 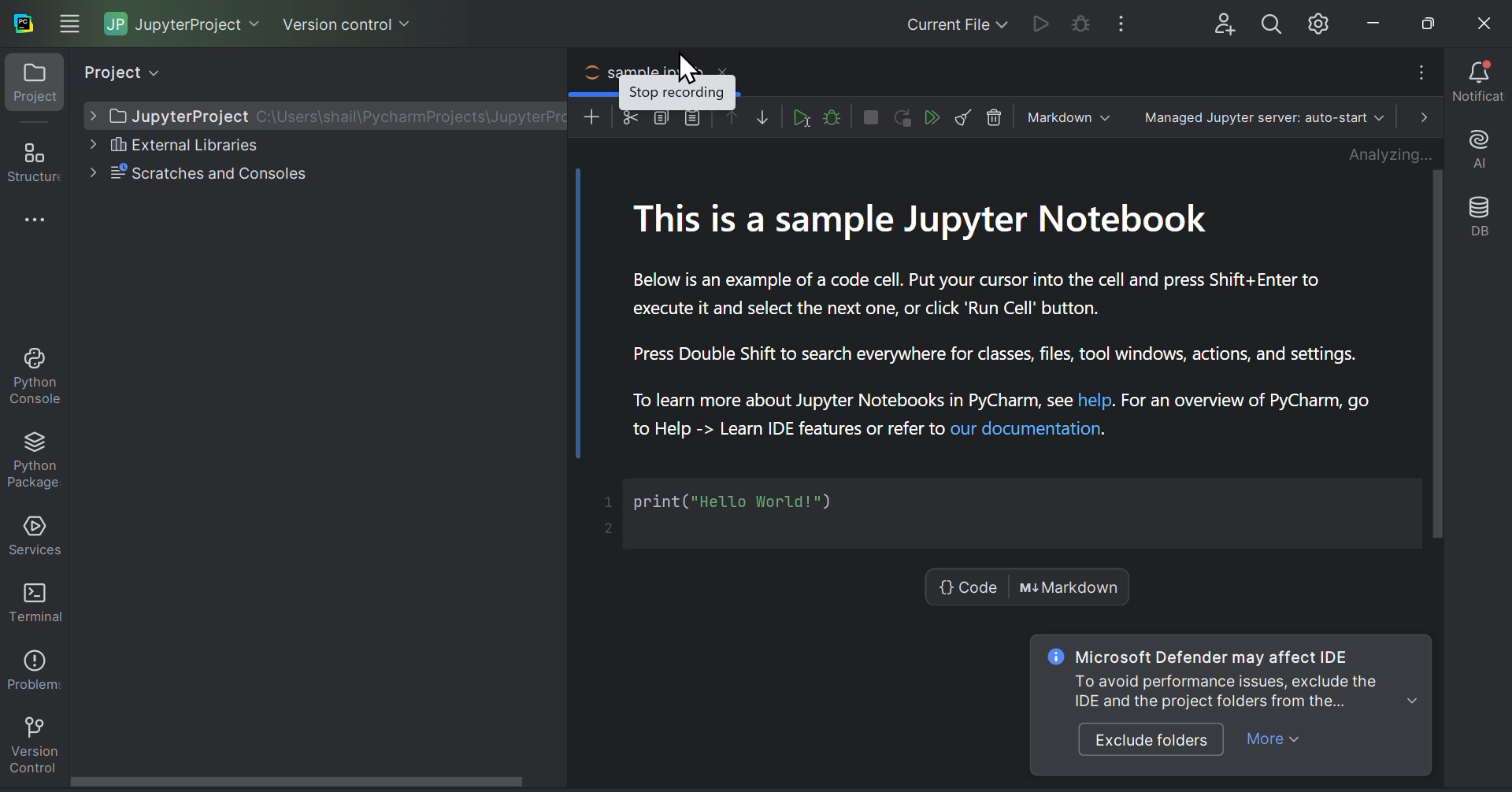 What do you see at coordinates (1125, 22) in the screenshot?
I see `More actions` at bounding box center [1125, 22].